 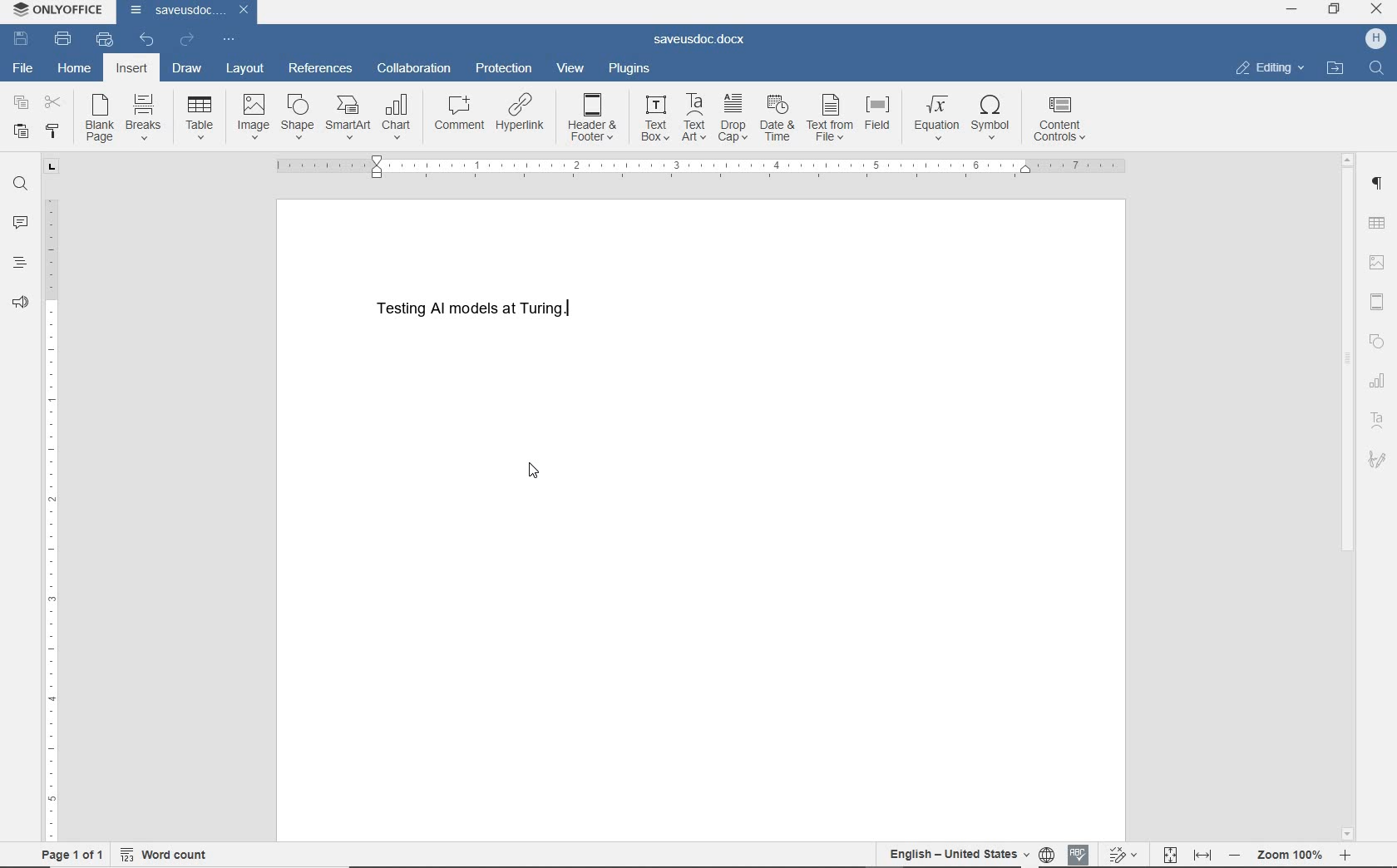 What do you see at coordinates (146, 40) in the screenshot?
I see `undo` at bounding box center [146, 40].